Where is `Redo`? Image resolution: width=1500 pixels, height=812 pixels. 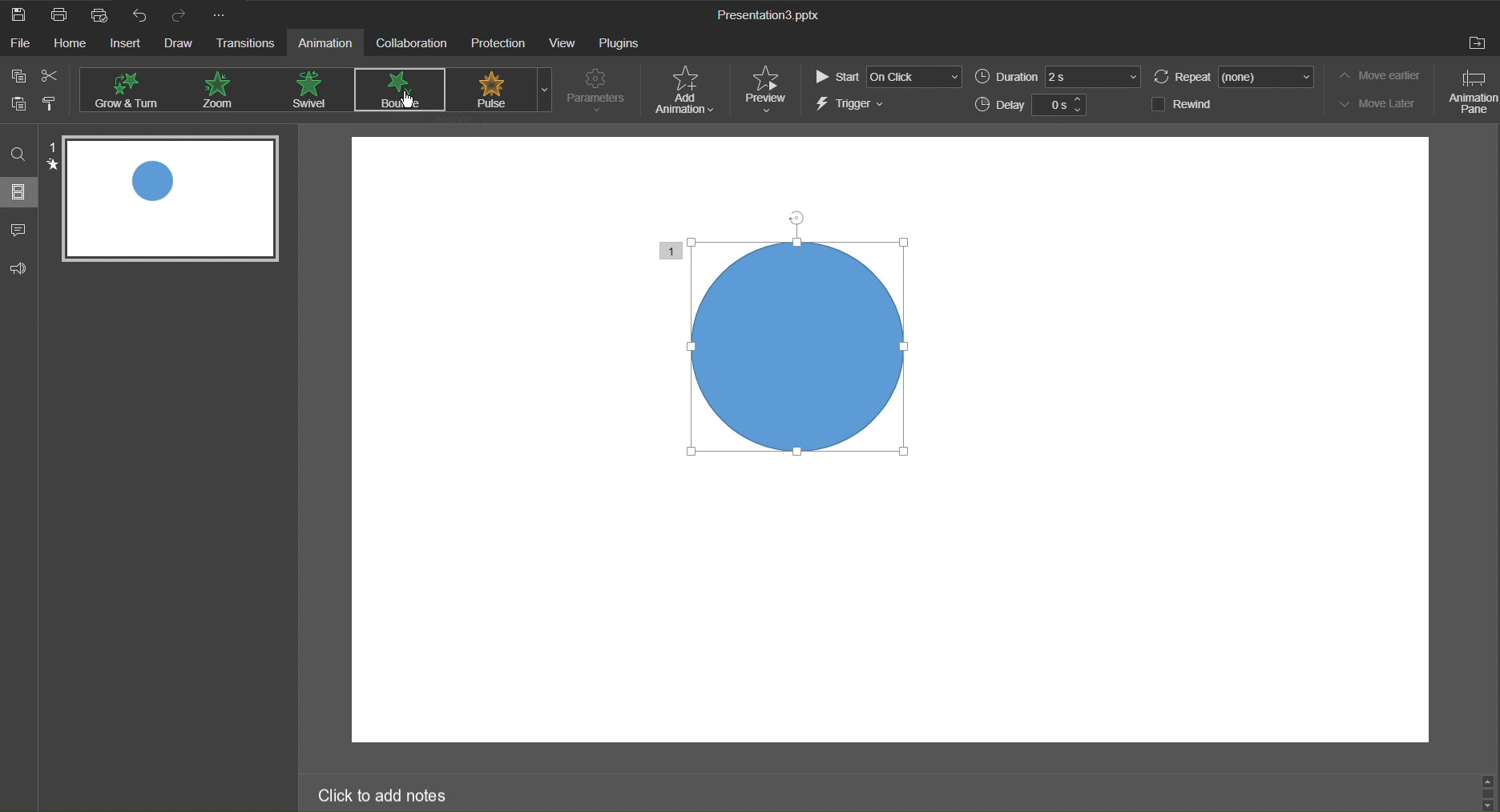
Redo is located at coordinates (176, 16).